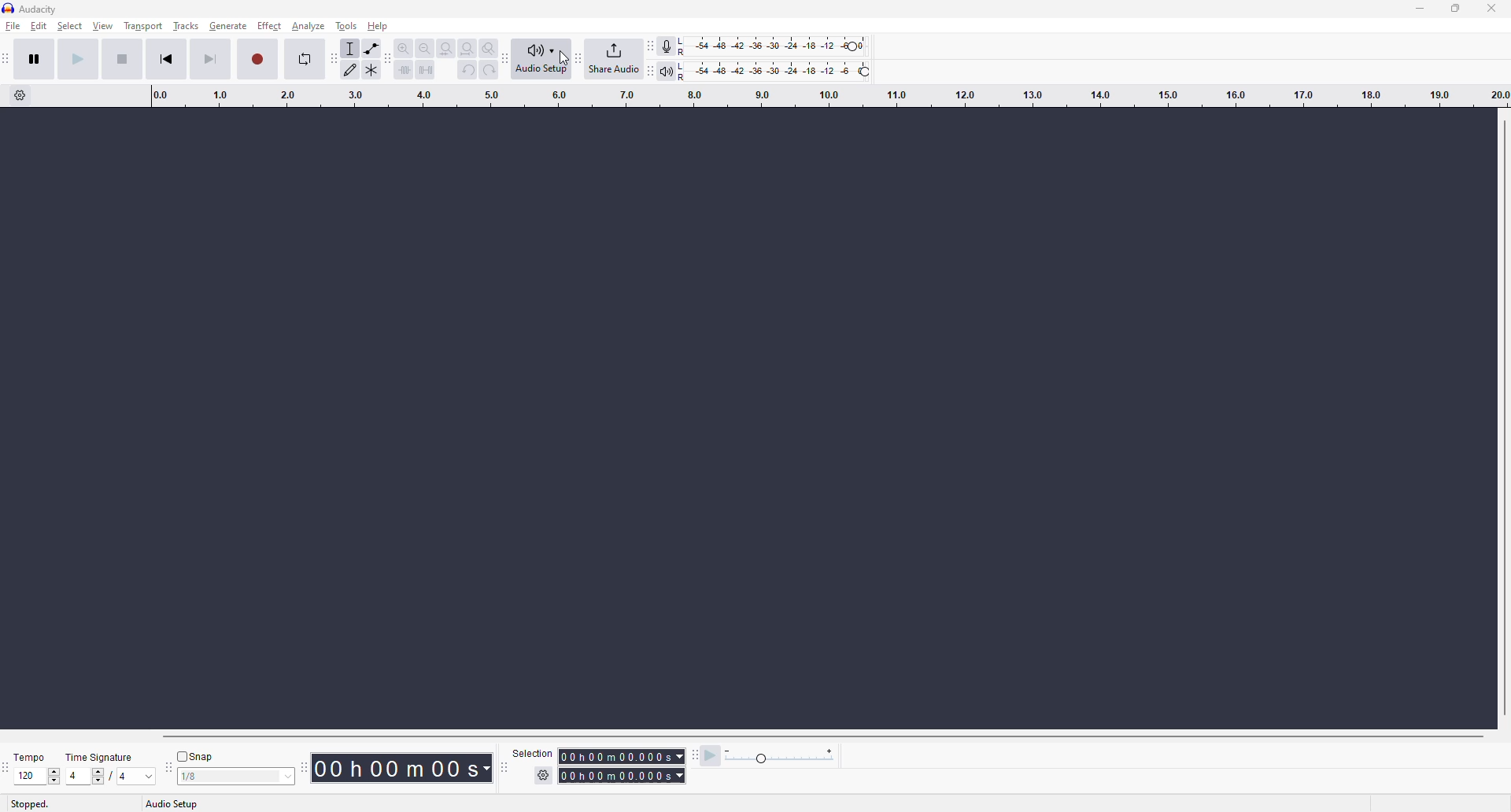 Image resolution: width=1511 pixels, height=812 pixels. What do you see at coordinates (424, 50) in the screenshot?
I see `zoom out` at bounding box center [424, 50].